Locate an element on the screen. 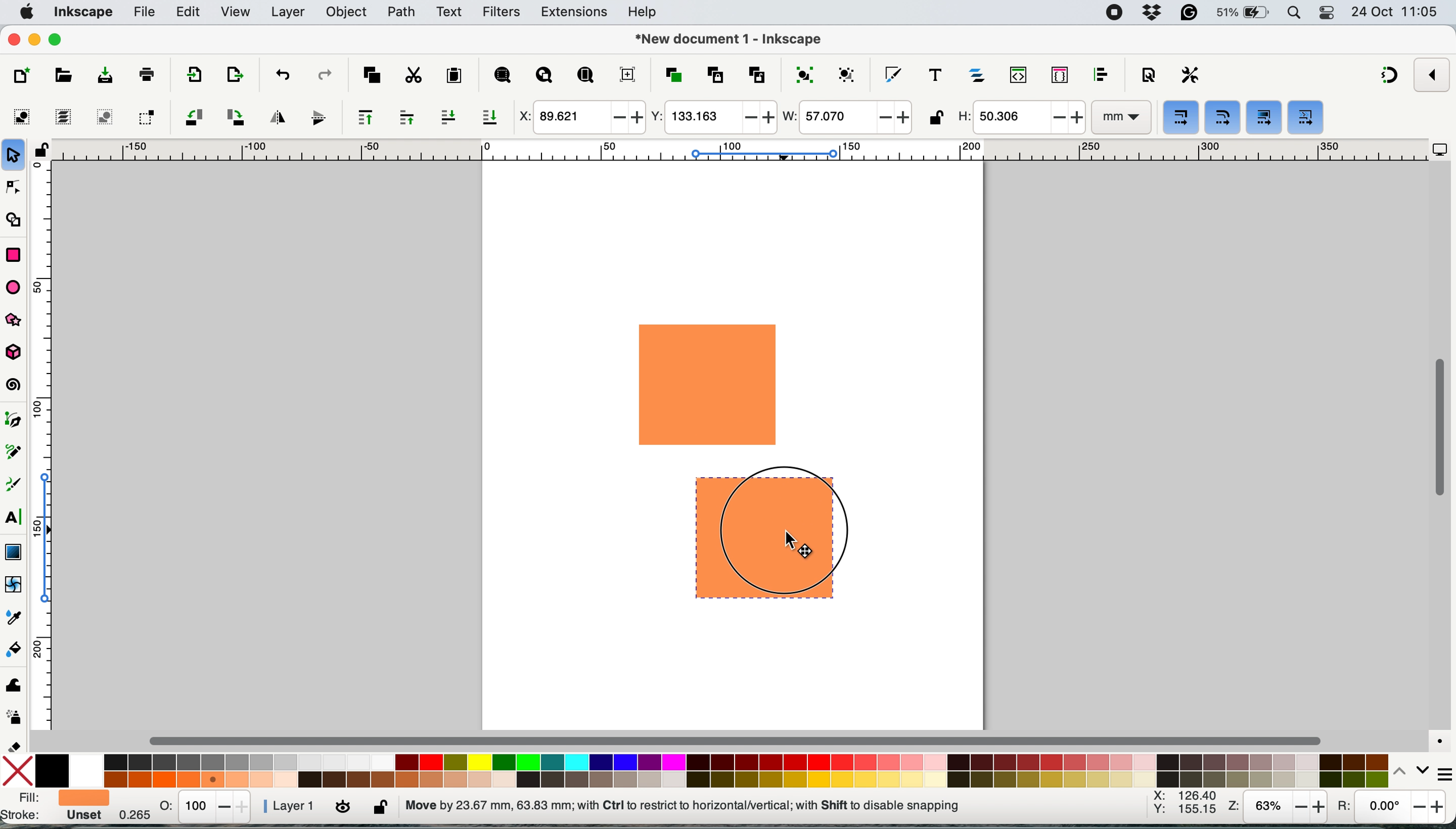 The height and width of the screenshot is (829, 1456). raise selection one step is located at coordinates (406, 118).